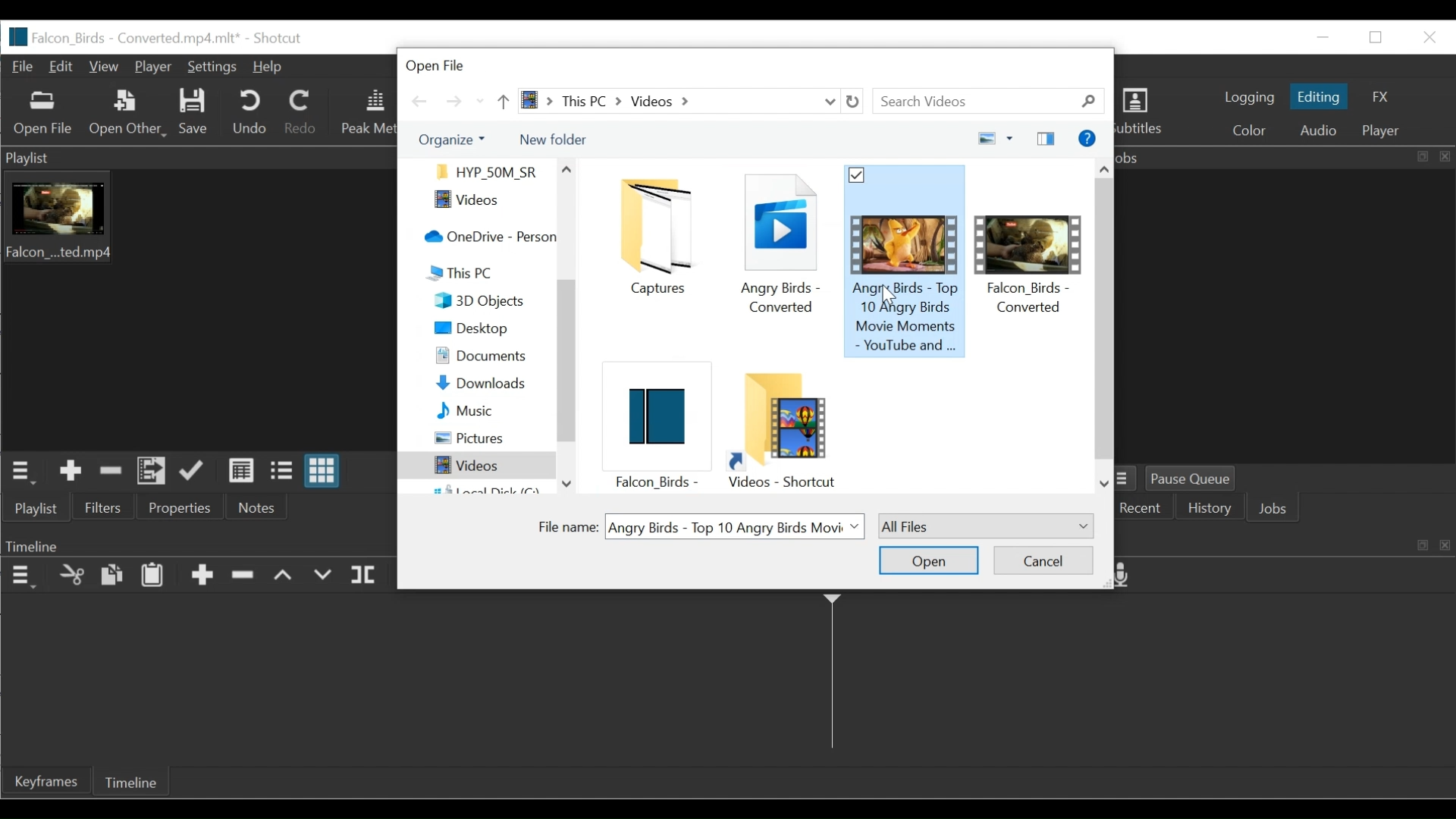 This screenshot has width=1456, height=819. What do you see at coordinates (1141, 510) in the screenshot?
I see `Recent` at bounding box center [1141, 510].